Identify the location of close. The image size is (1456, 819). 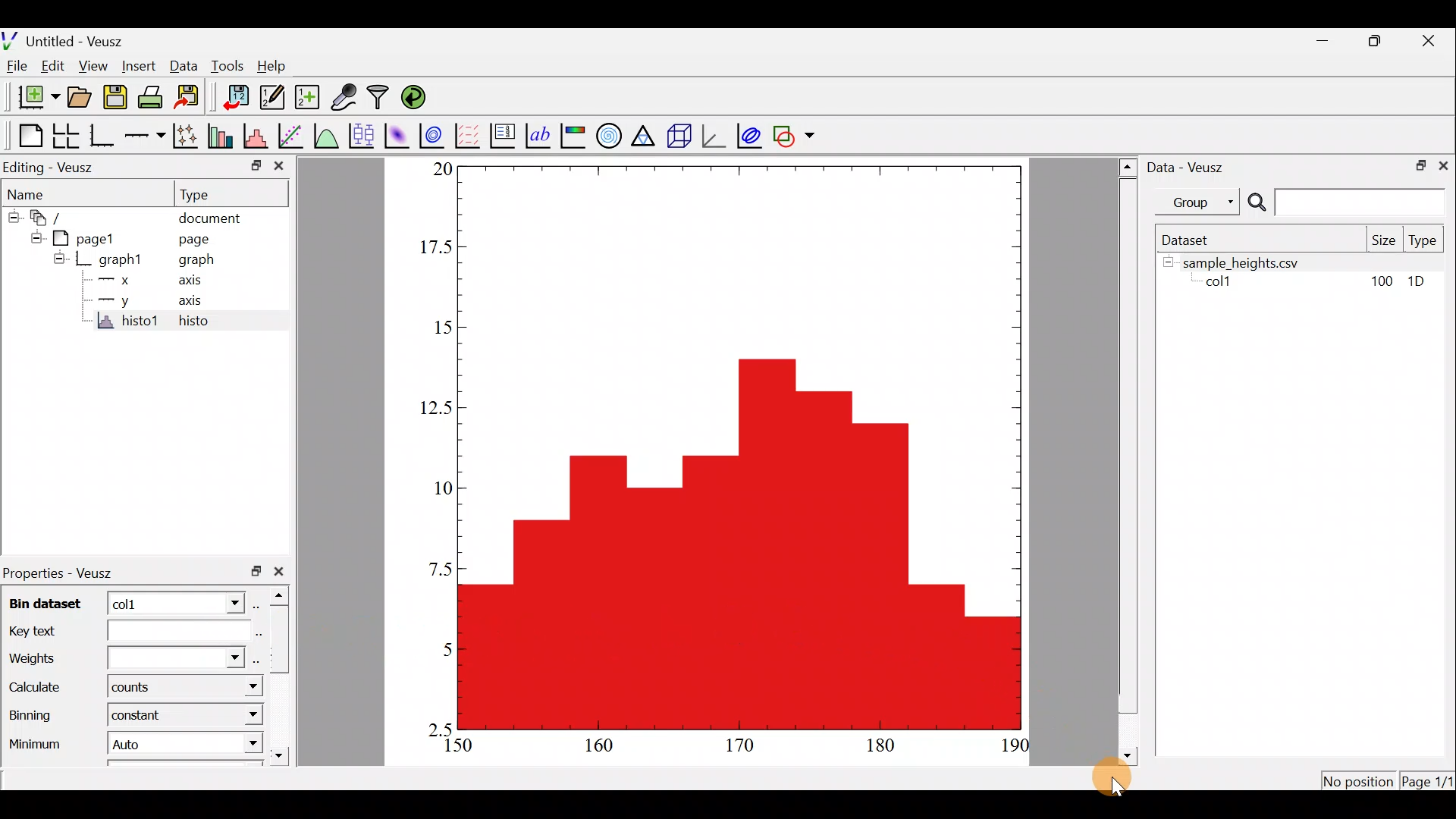
(284, 572).